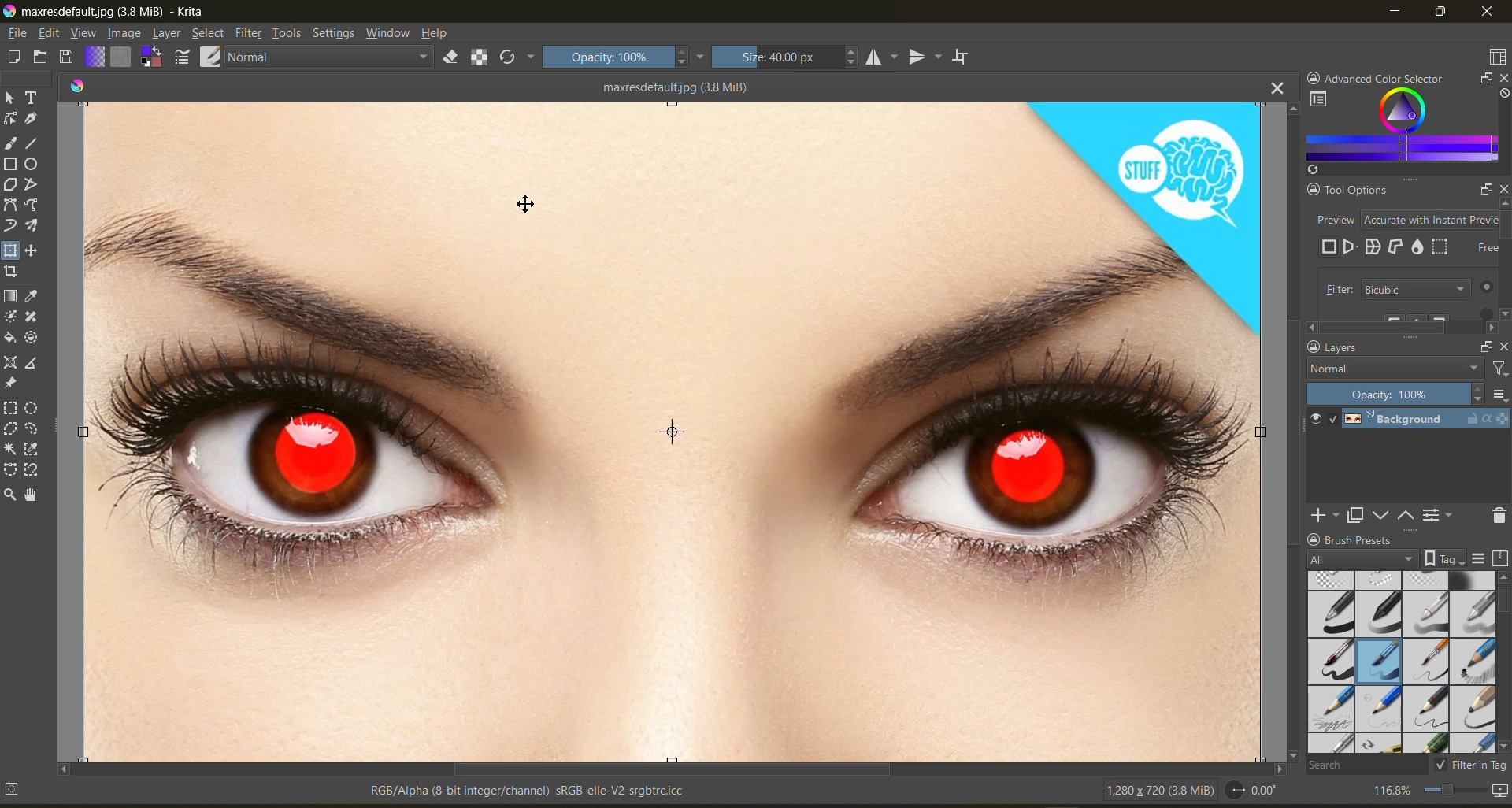  What do you see at coordinates (624, 59) in the screenshot?
I see `opacity` at bounding box center [624, 59].